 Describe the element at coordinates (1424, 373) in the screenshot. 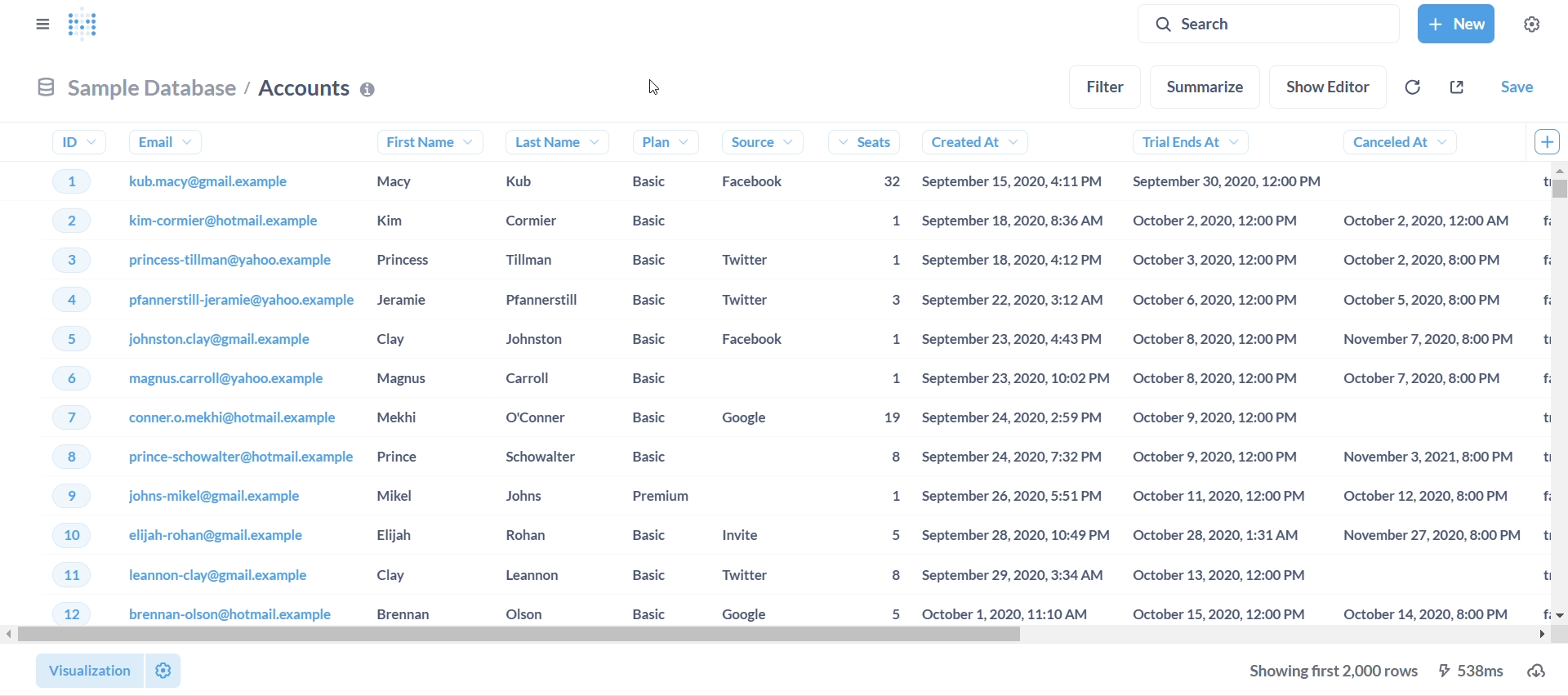

I see `canceled at` at that location.